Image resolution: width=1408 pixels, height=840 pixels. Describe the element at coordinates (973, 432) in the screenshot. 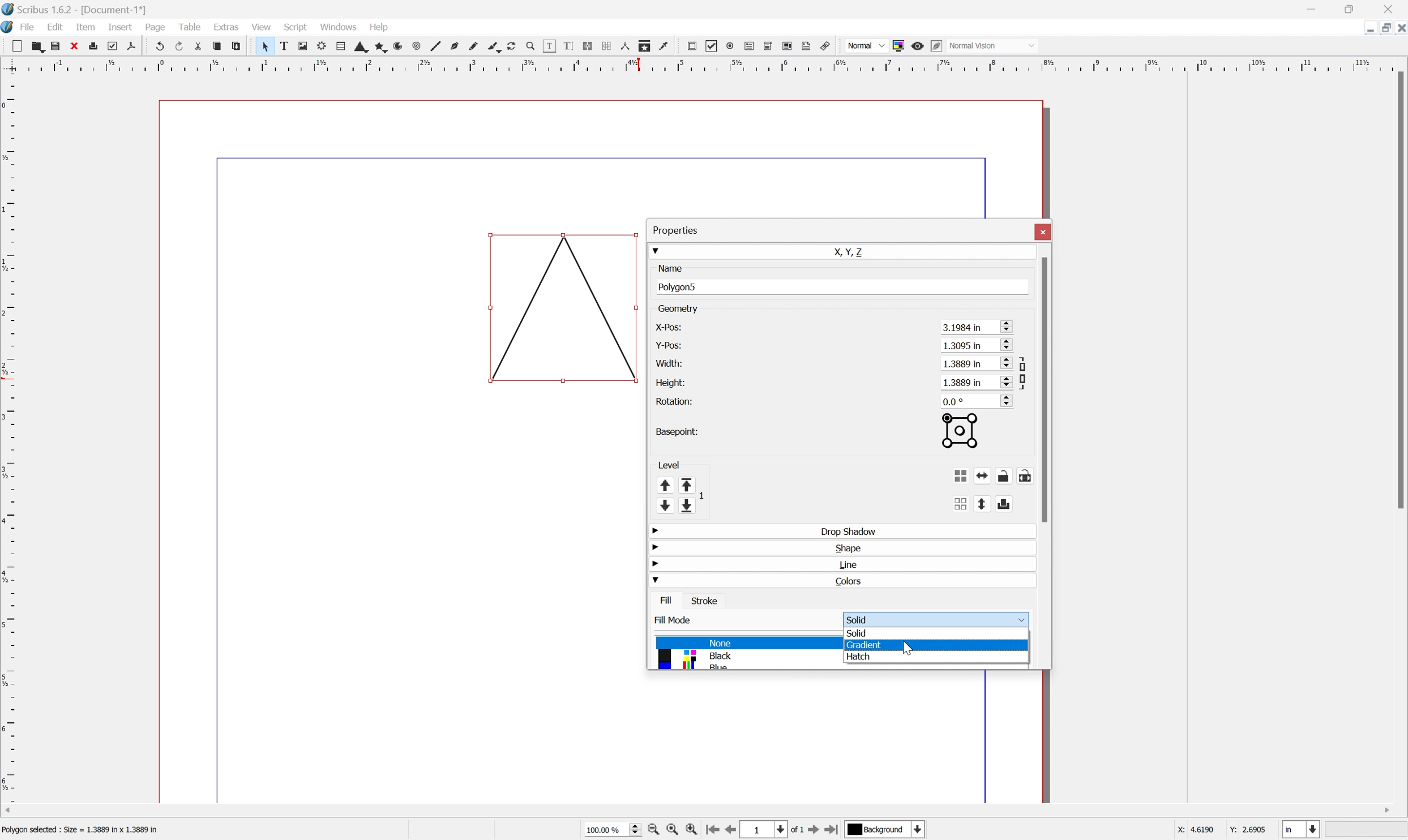

I see `Basepoint` at that location.